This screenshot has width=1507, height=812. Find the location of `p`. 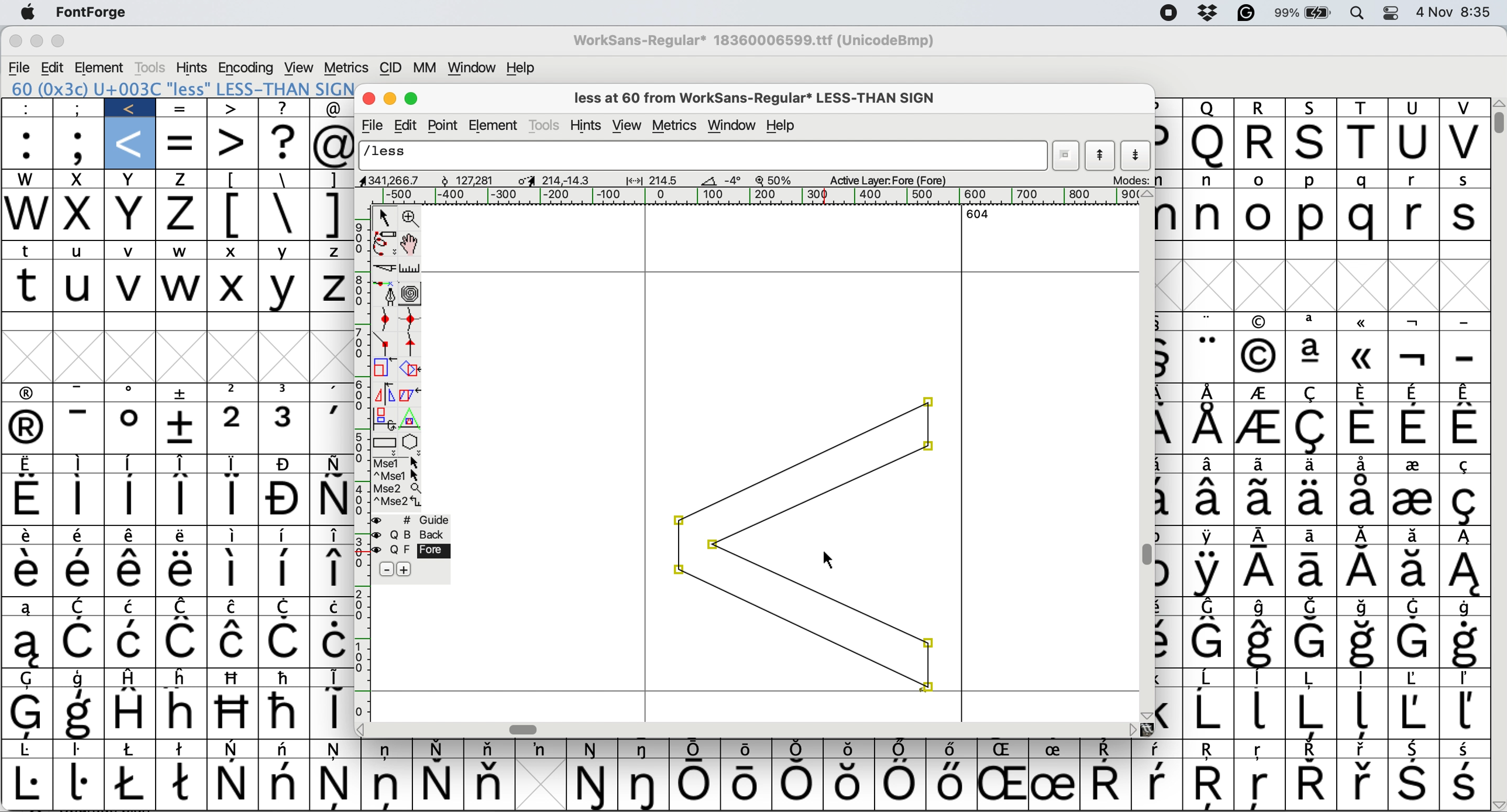

p is located at coordinates (1310, 181).